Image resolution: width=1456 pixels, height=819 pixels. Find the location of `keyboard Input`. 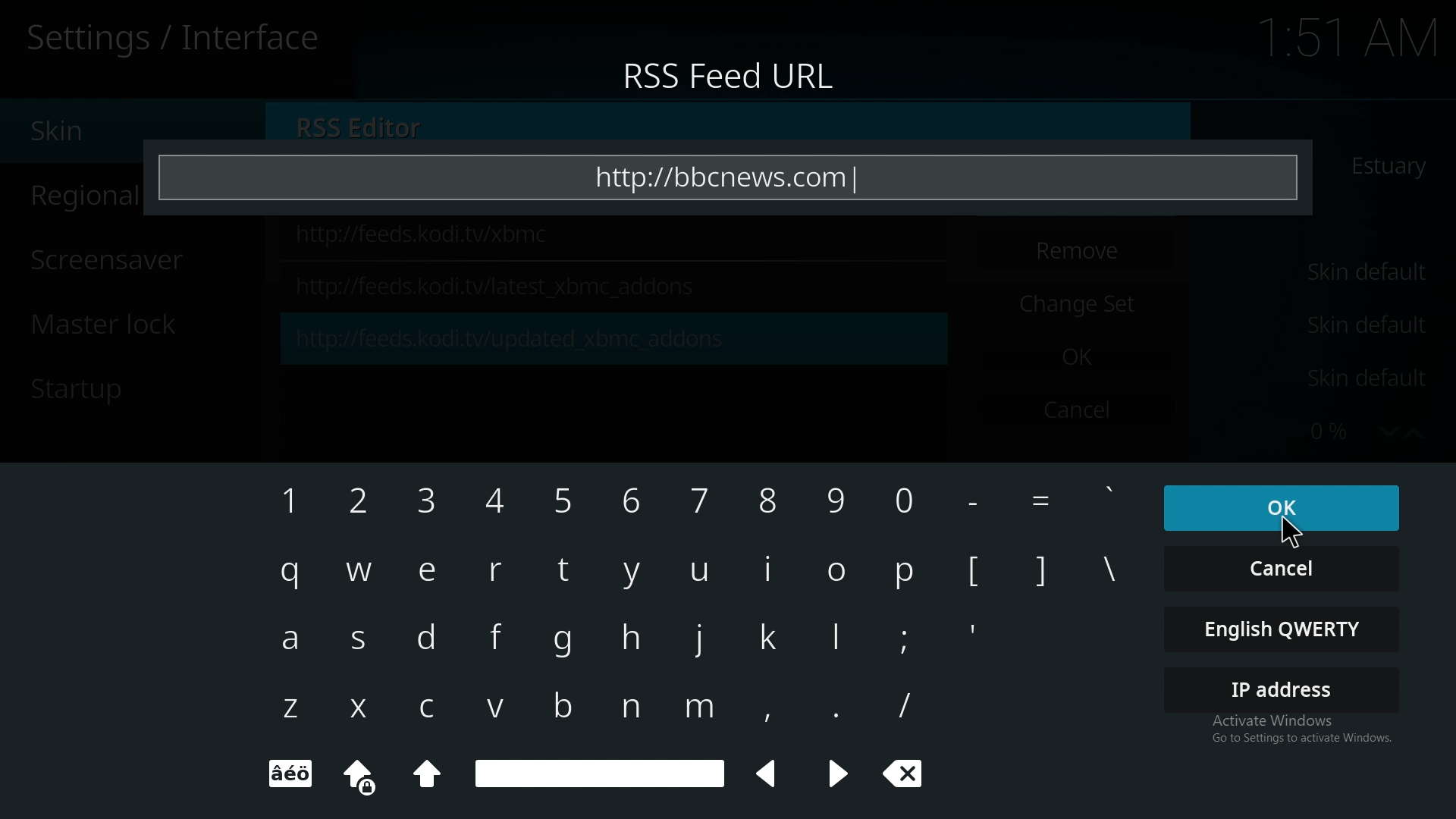

keyboard Input is located at coordinates (291, 774).